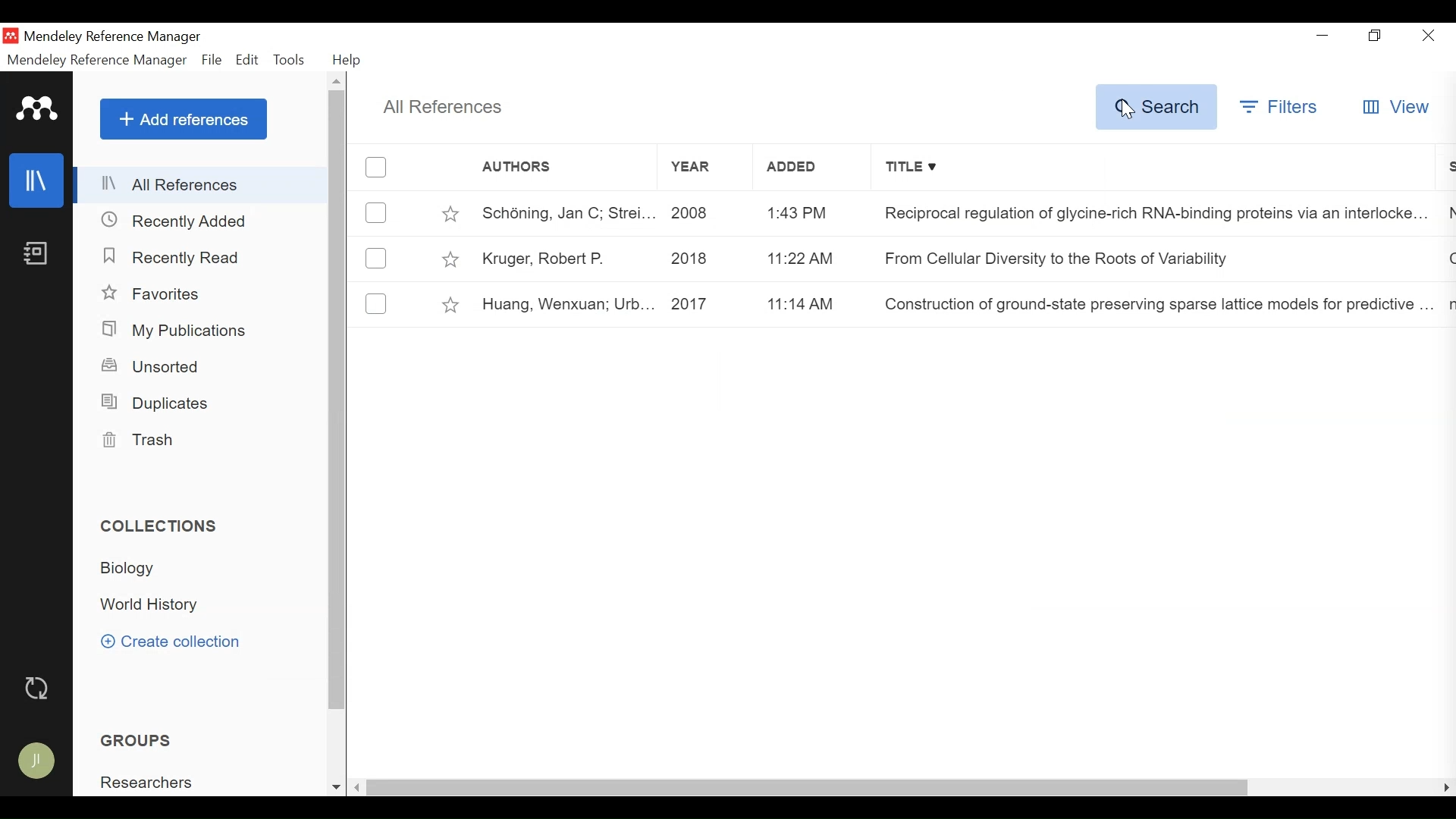 This screenshot has width=1456, height=819. I want to click on Authors, so click(547, 168).